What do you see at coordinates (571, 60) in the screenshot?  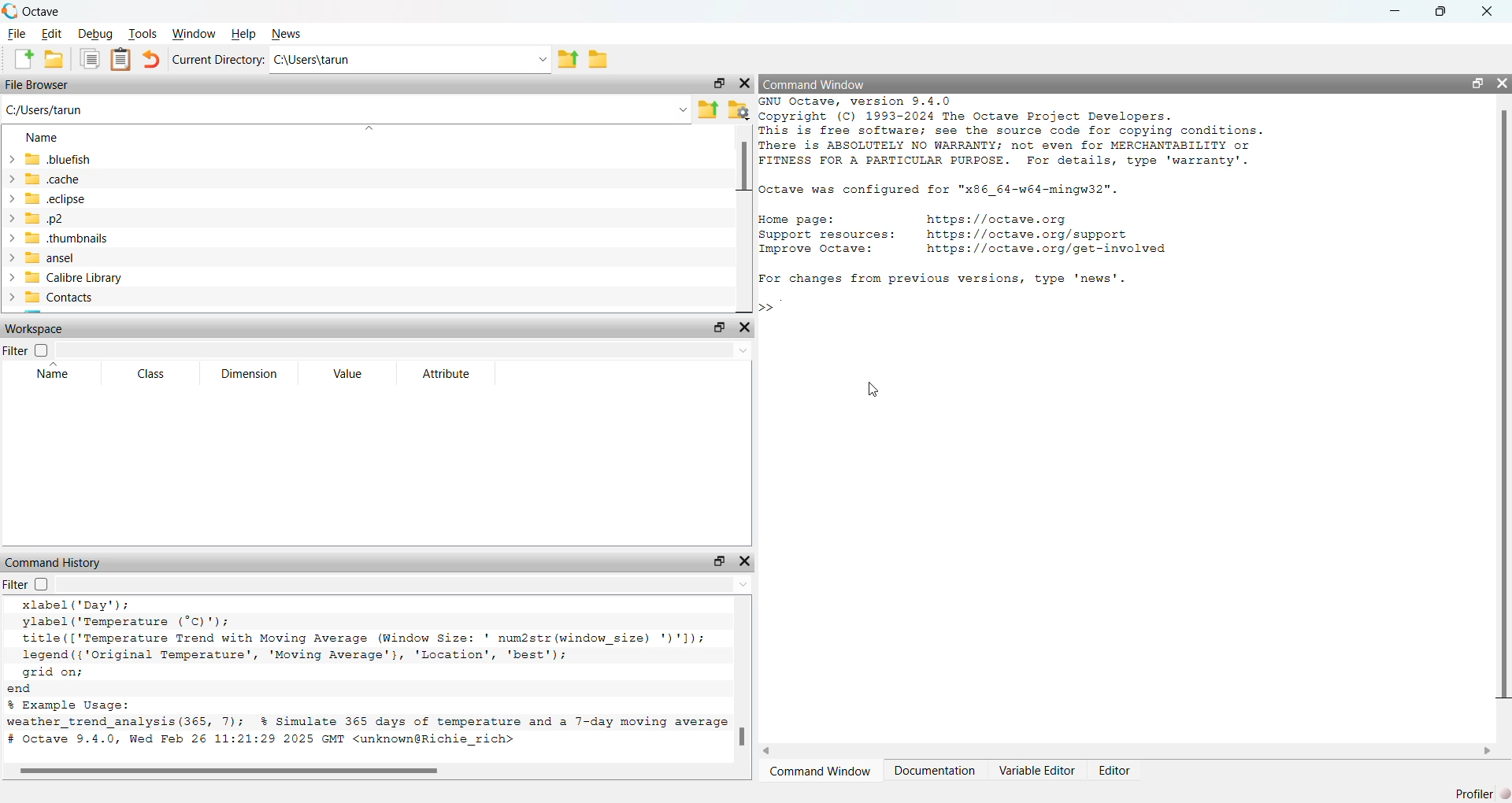 I see `export` at bounding box center [571, 60].